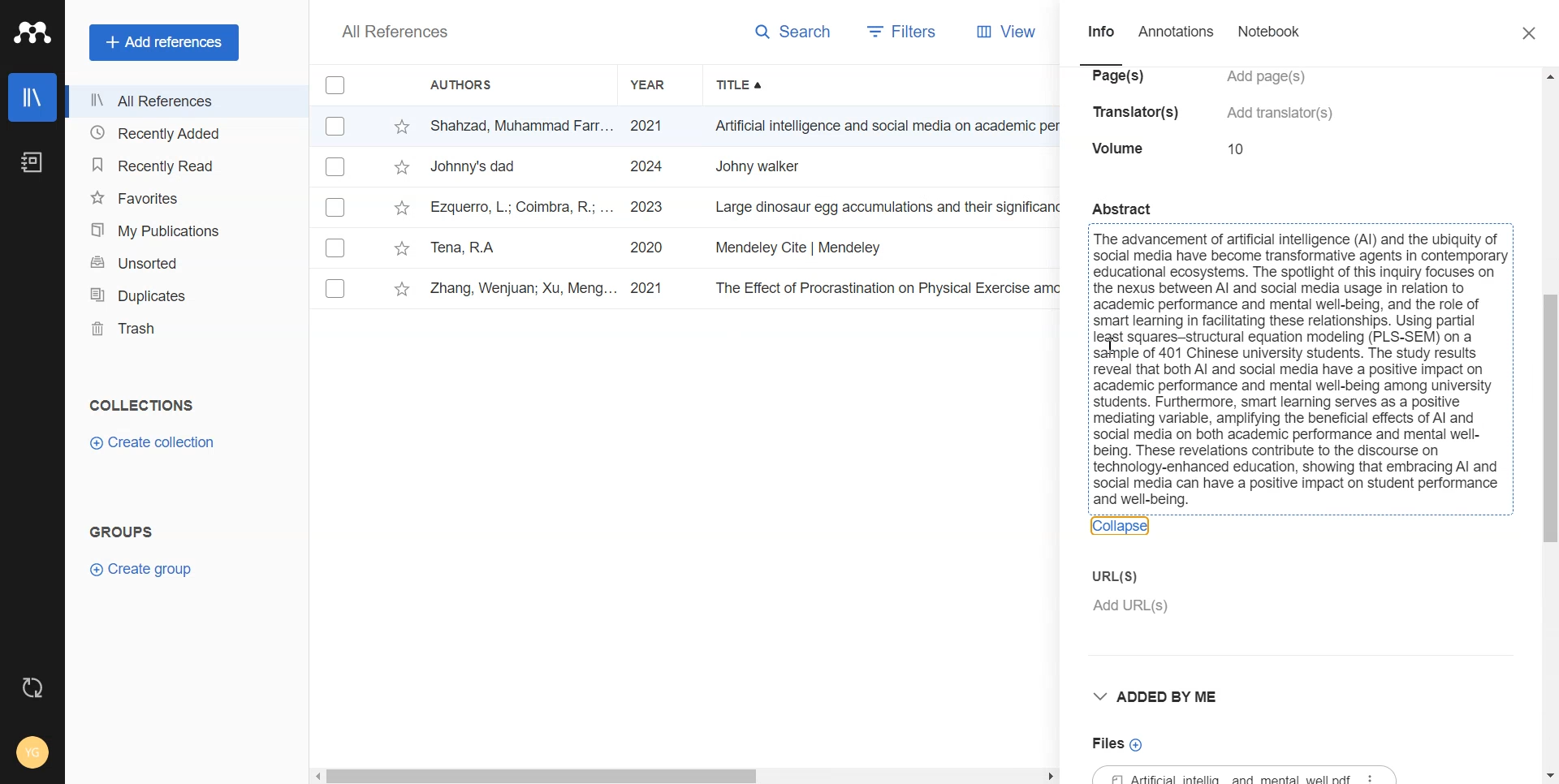 The width and height of the screenshot is (1559, 784). Describe the element at coordinates (471, 86) in the screenshot. I see `Authors` at that location.